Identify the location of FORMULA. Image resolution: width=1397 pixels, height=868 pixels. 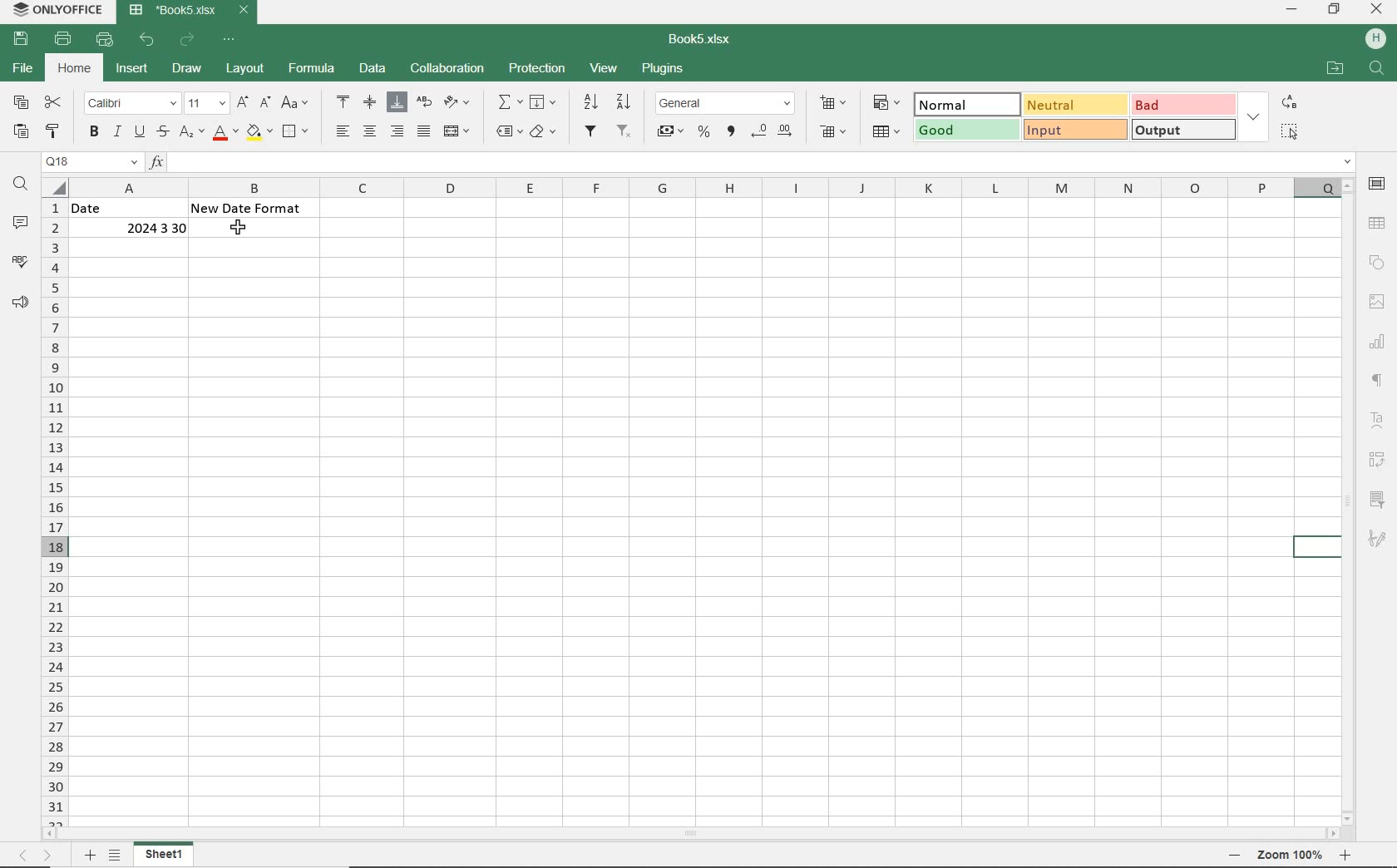
(313, 68).